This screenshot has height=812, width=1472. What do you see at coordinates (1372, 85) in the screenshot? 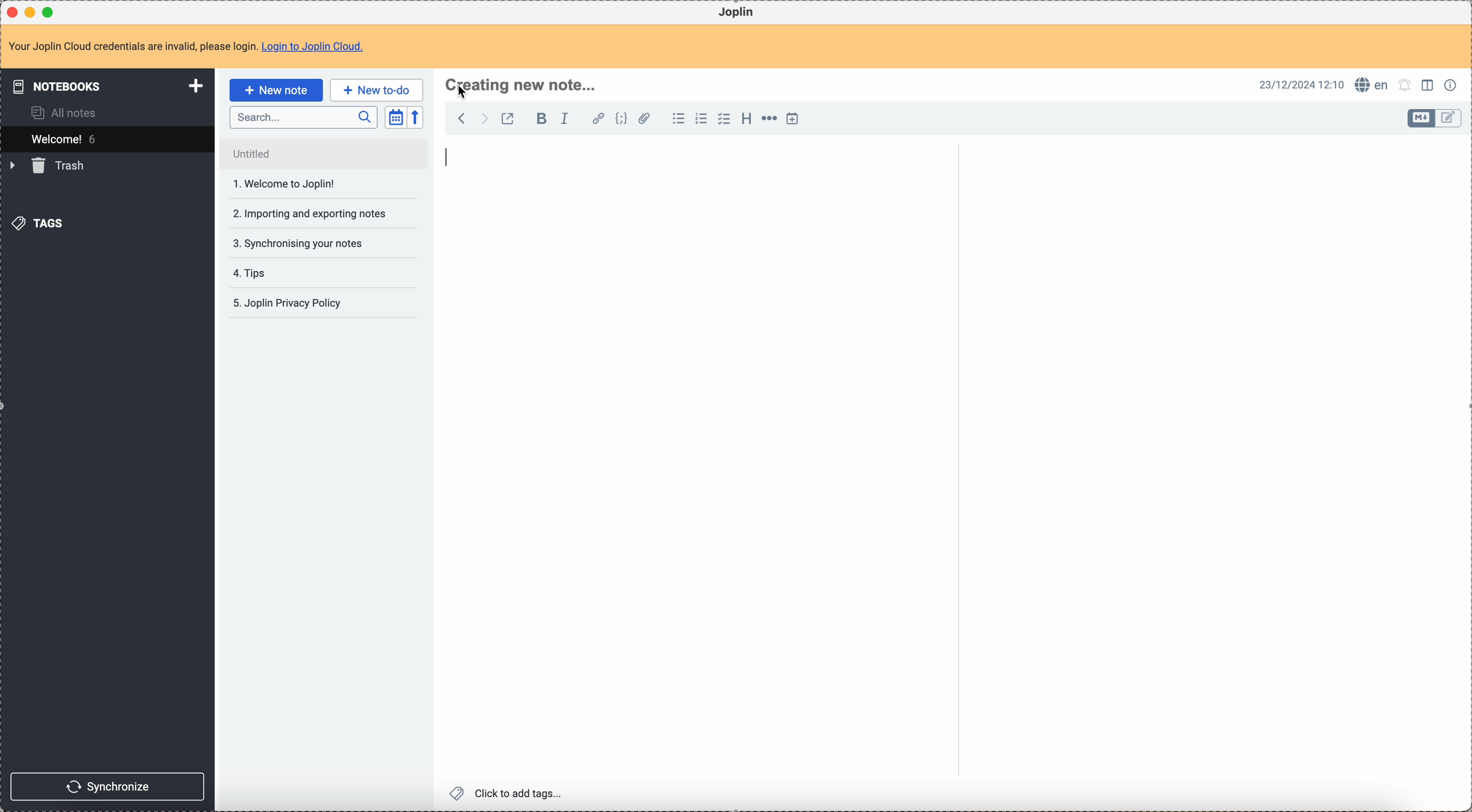
I see `spell checker` at bounding box center [1372, 85].